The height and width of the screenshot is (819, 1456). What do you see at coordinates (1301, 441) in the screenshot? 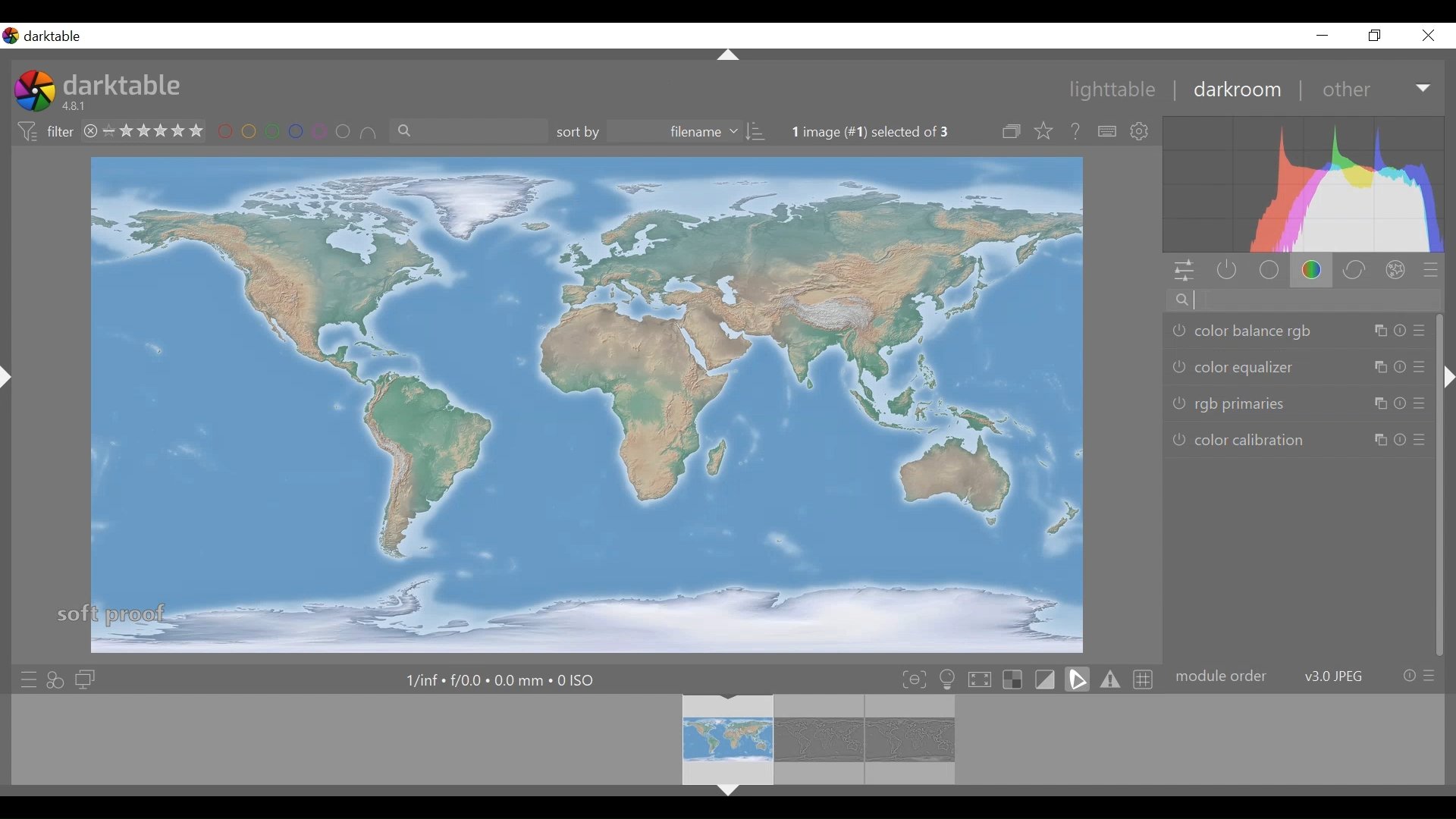
I see `color calibrations` at bounding box center [1301, 441].